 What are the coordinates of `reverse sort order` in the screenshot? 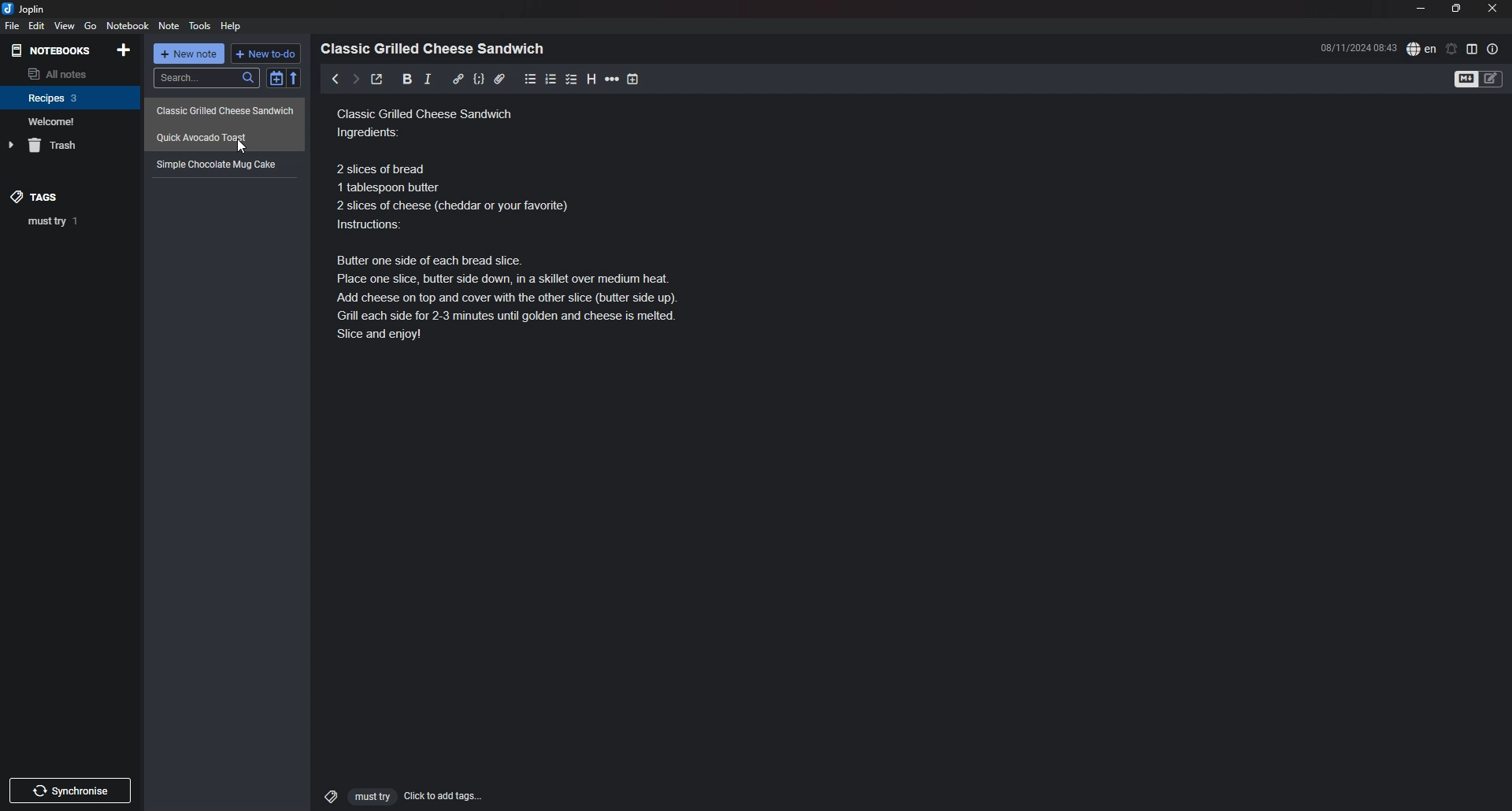 It's located at (297, 79).